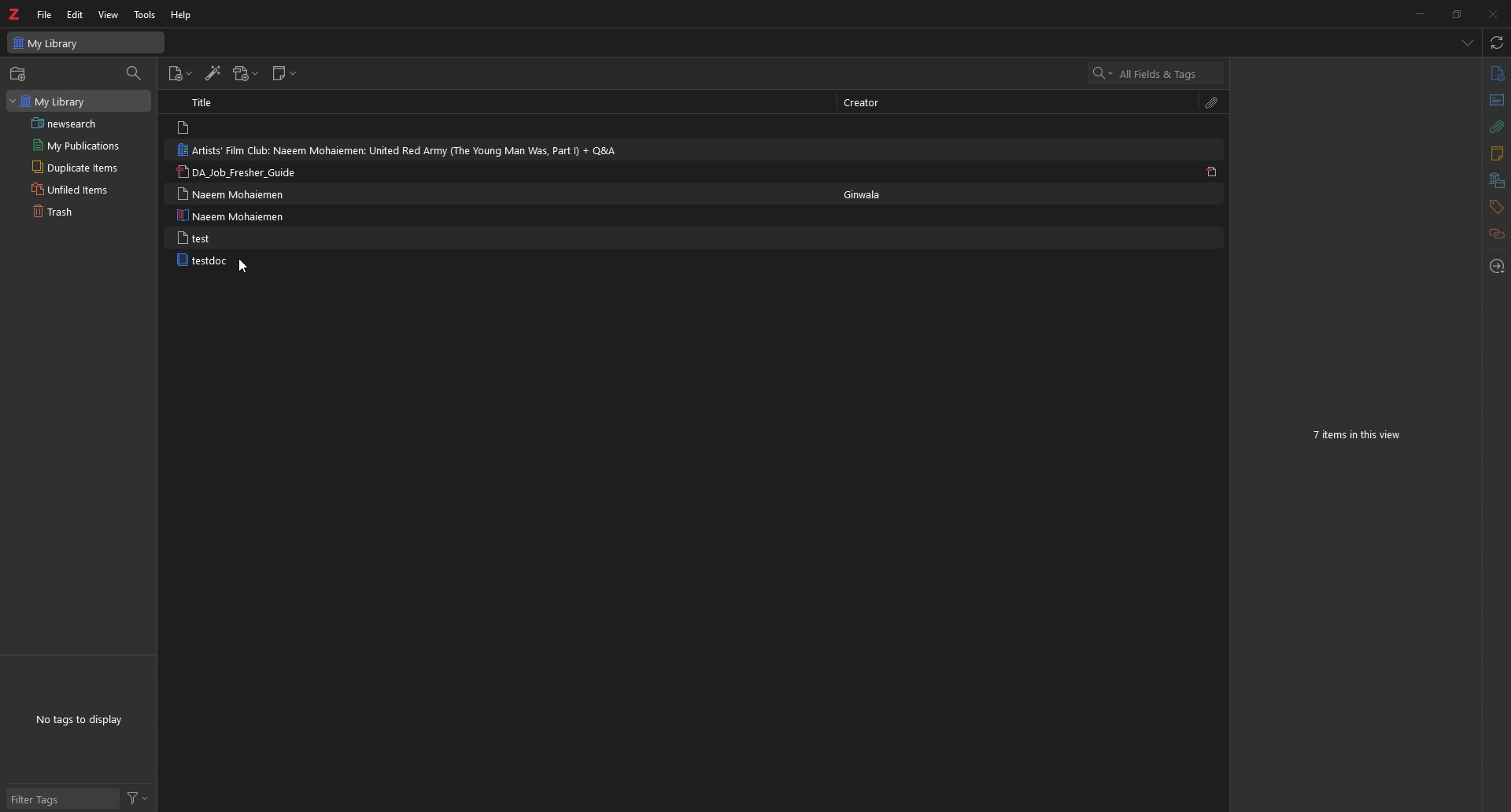 The width and height of the screenshot is (1511, 812). Describe the element at coordinates (1213, 171) in the screenshot. I see `File` at that location.